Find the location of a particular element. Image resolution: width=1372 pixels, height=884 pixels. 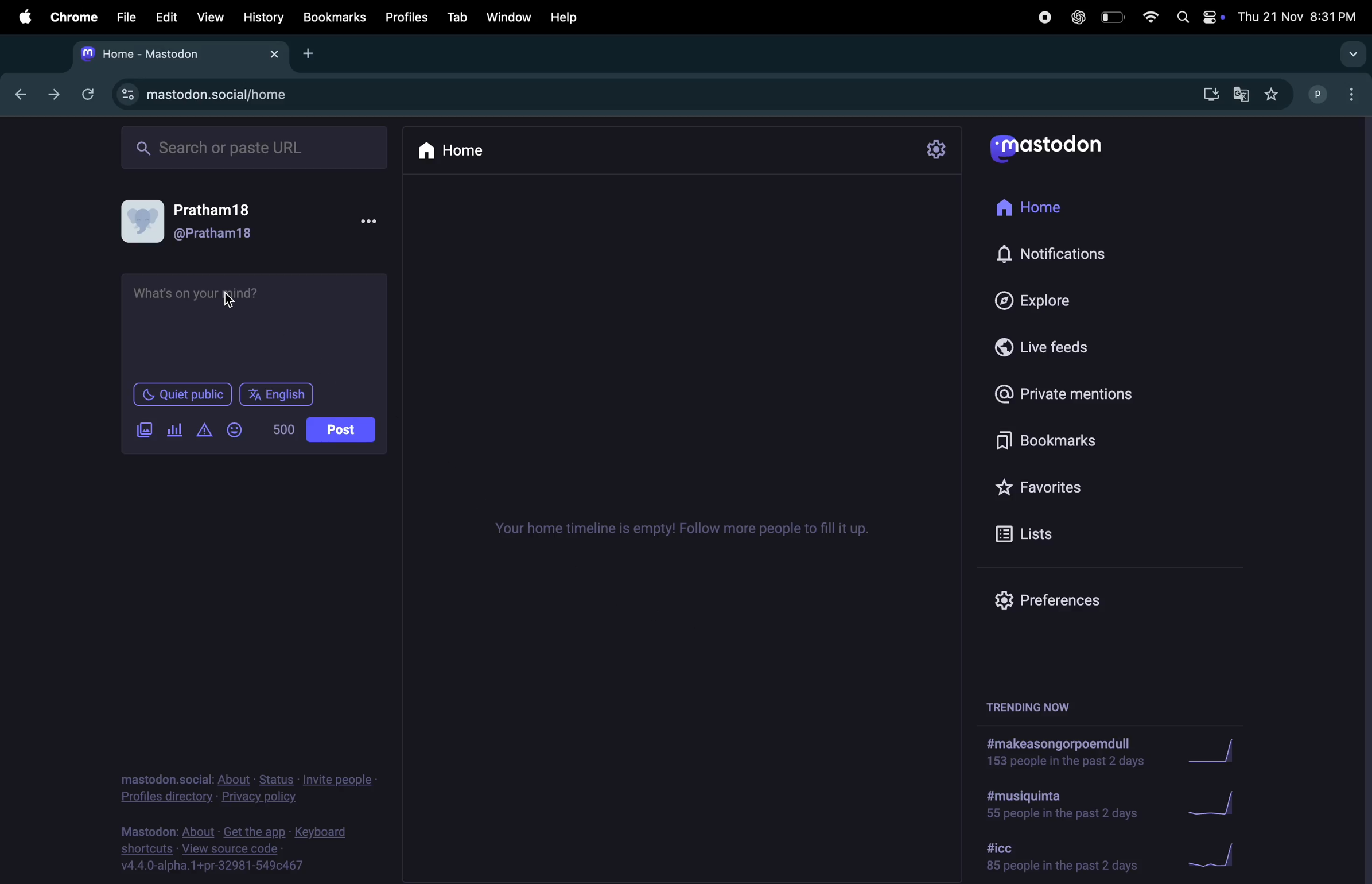

apple widgets is located at coordinates (1198, 17).